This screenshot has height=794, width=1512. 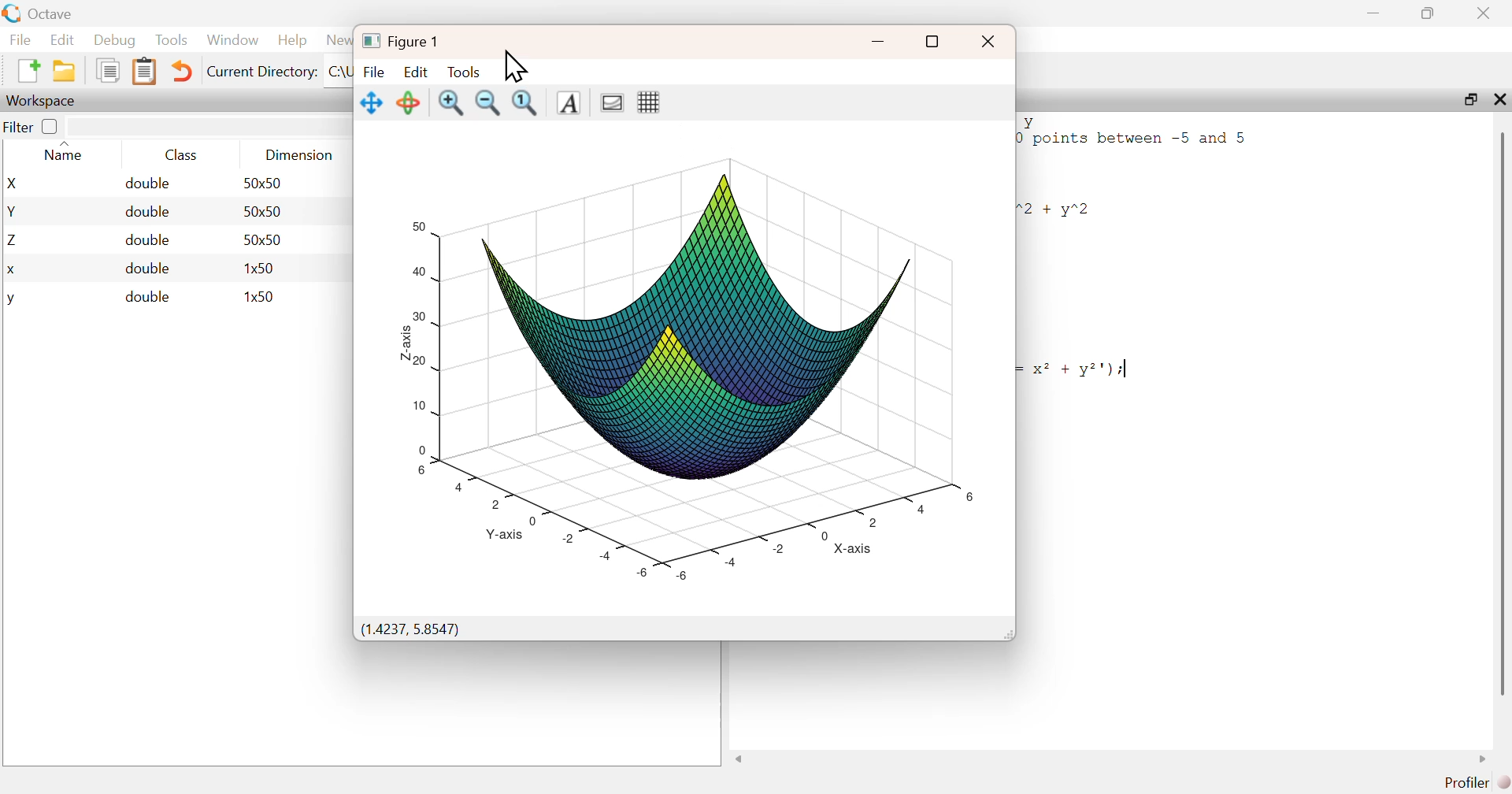 What do you see at coordinates (374, 72) in the screenshot?
I see `File` at bounding box center [374, 72].